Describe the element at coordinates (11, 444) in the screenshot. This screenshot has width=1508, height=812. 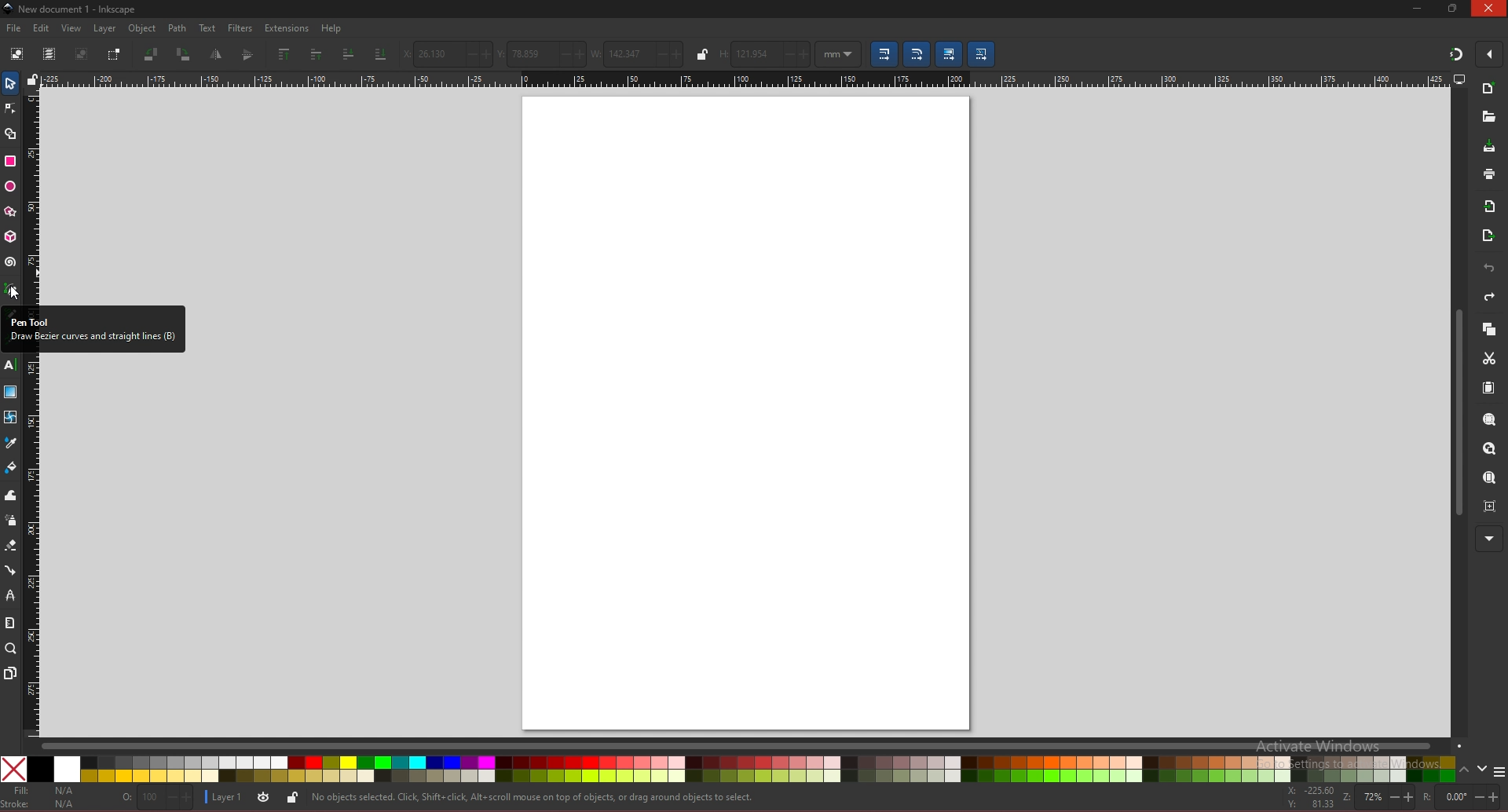
I see `dropper` at that location.